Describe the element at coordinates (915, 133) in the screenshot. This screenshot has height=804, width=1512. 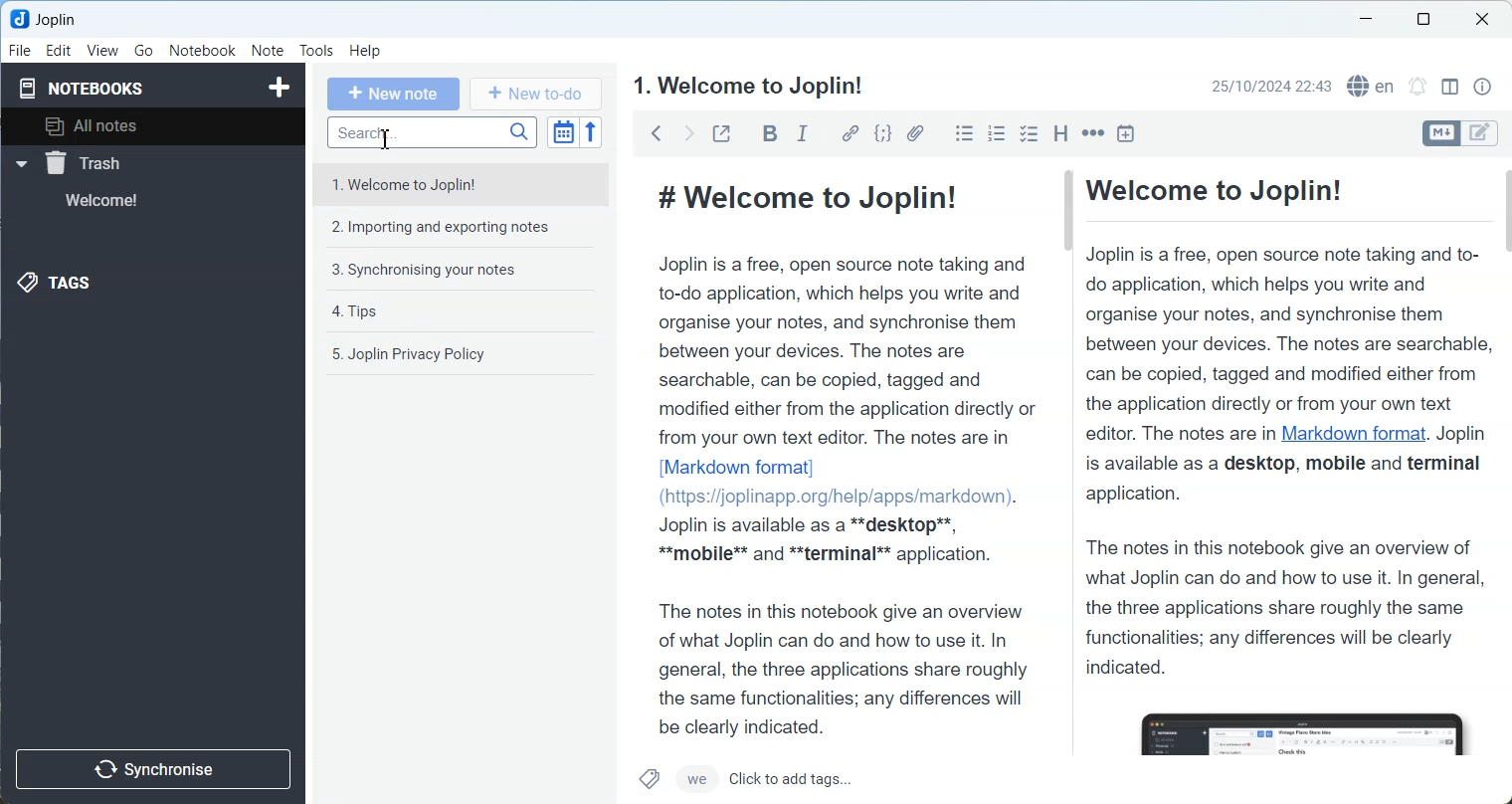
I see `Attached file` at that location.